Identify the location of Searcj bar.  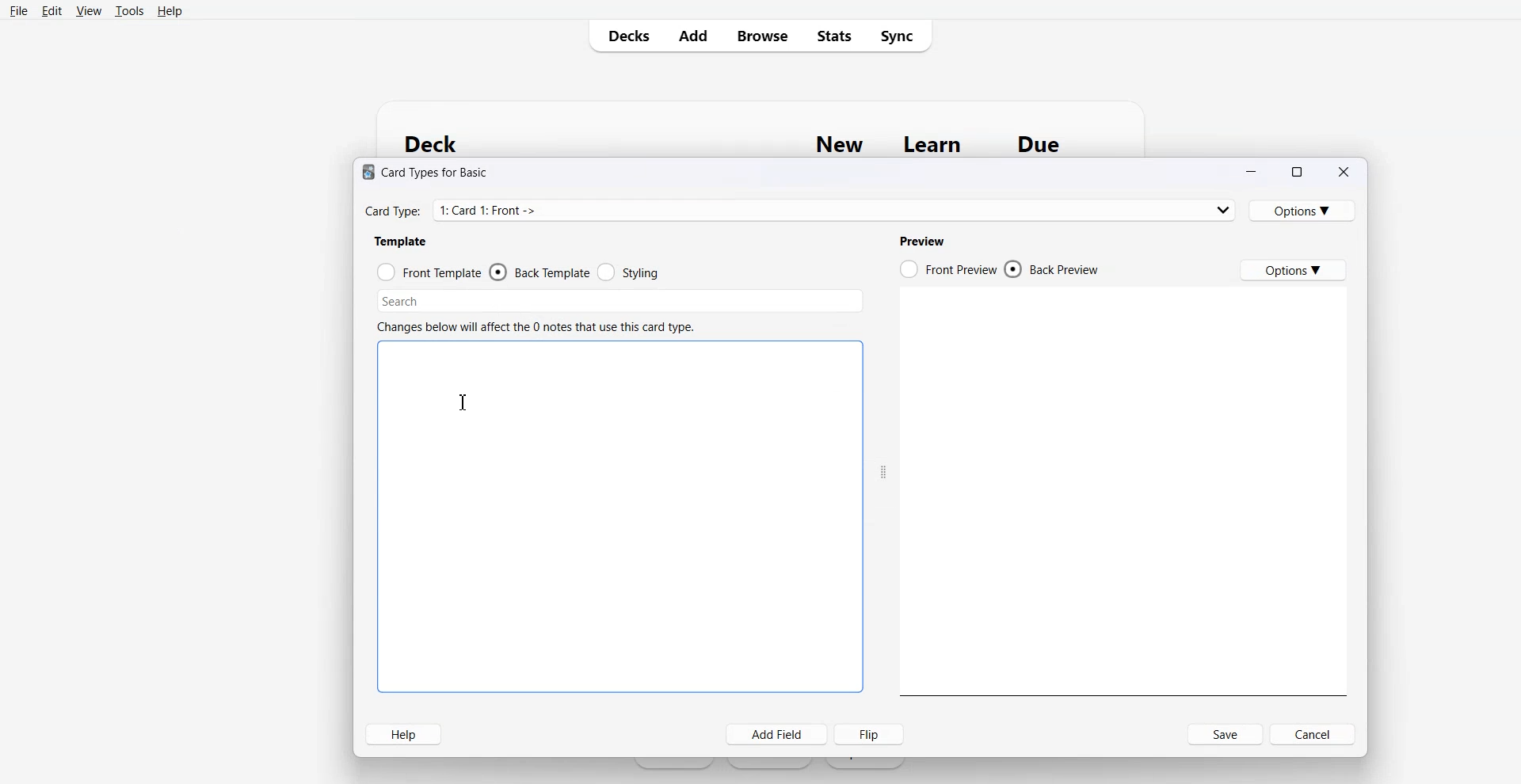
(540, 298).